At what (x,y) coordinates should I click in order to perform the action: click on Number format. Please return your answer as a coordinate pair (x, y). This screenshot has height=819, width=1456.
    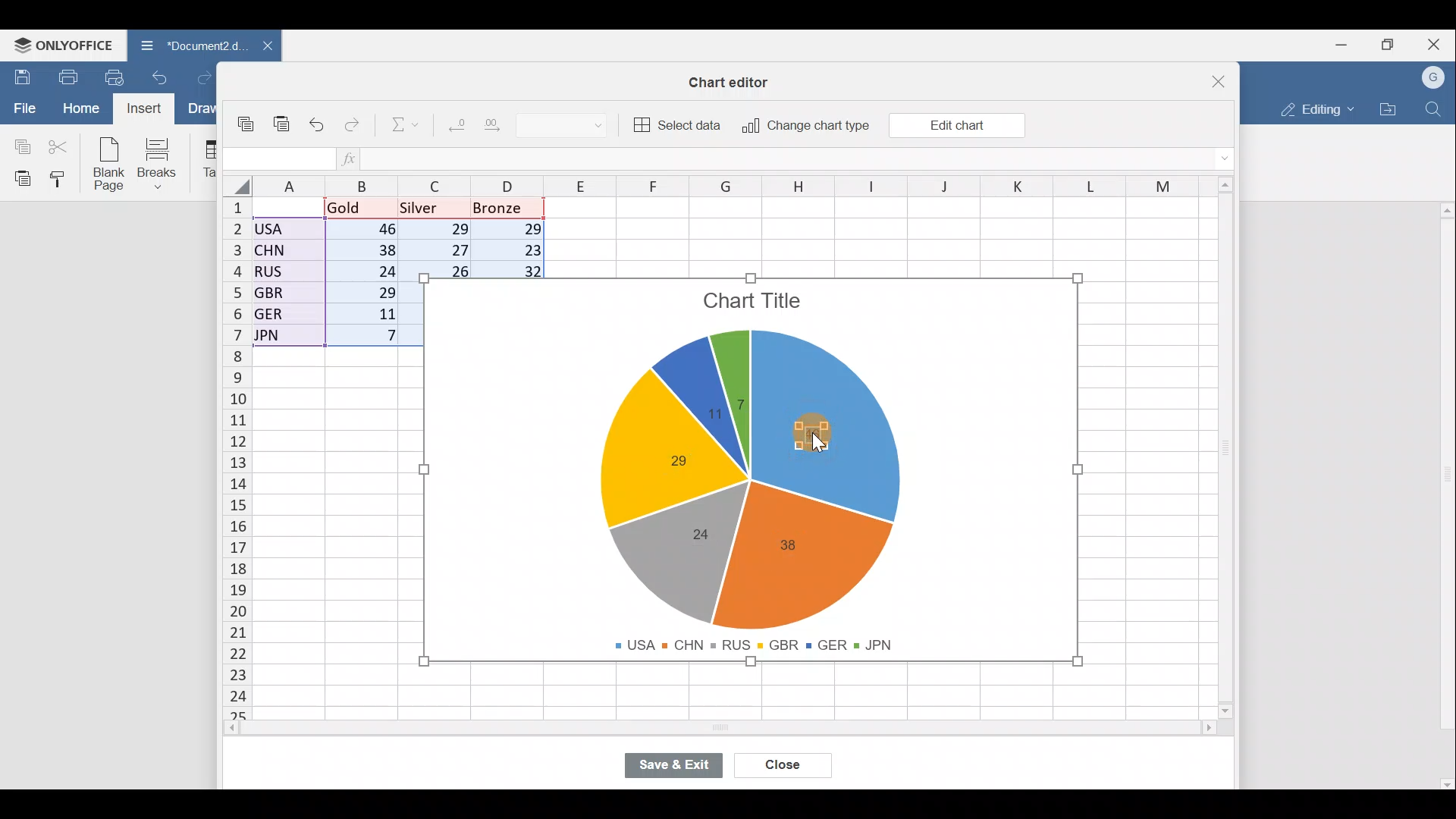
    Looking at the image, I should click on (568, 123).